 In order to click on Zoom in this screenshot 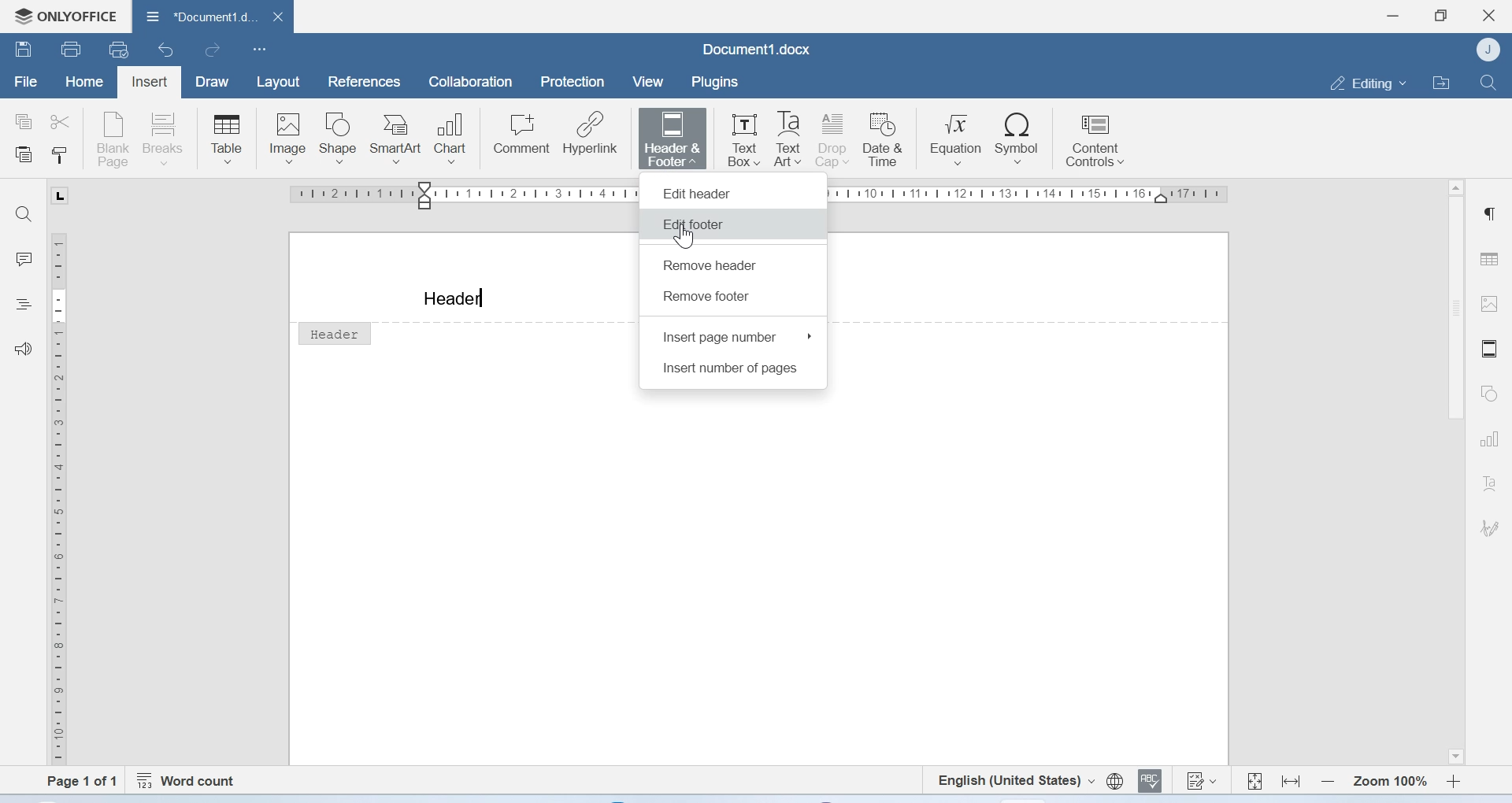, I will do `click(1389, 779)`.